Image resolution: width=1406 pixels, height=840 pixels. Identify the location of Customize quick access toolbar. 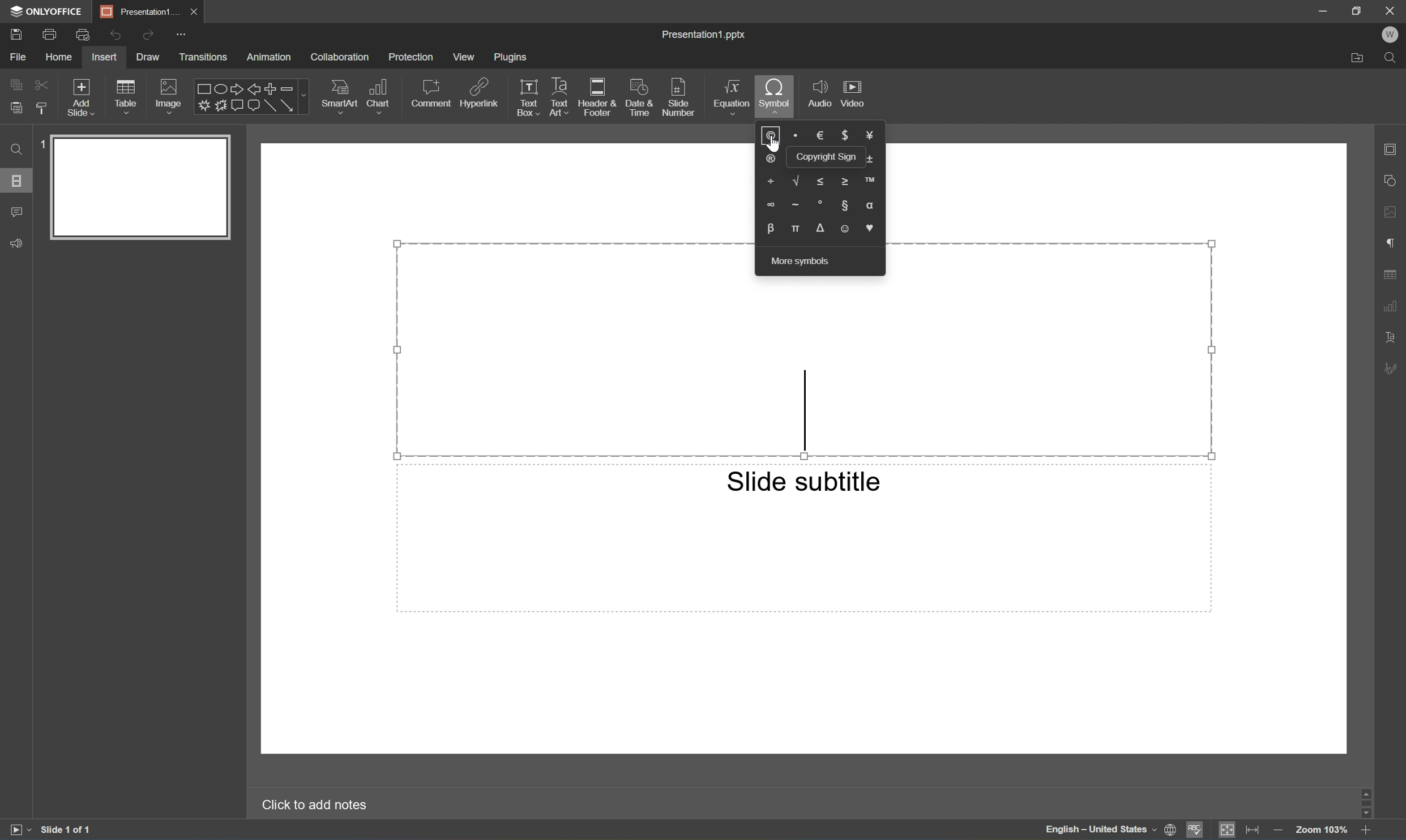
(181, 36).